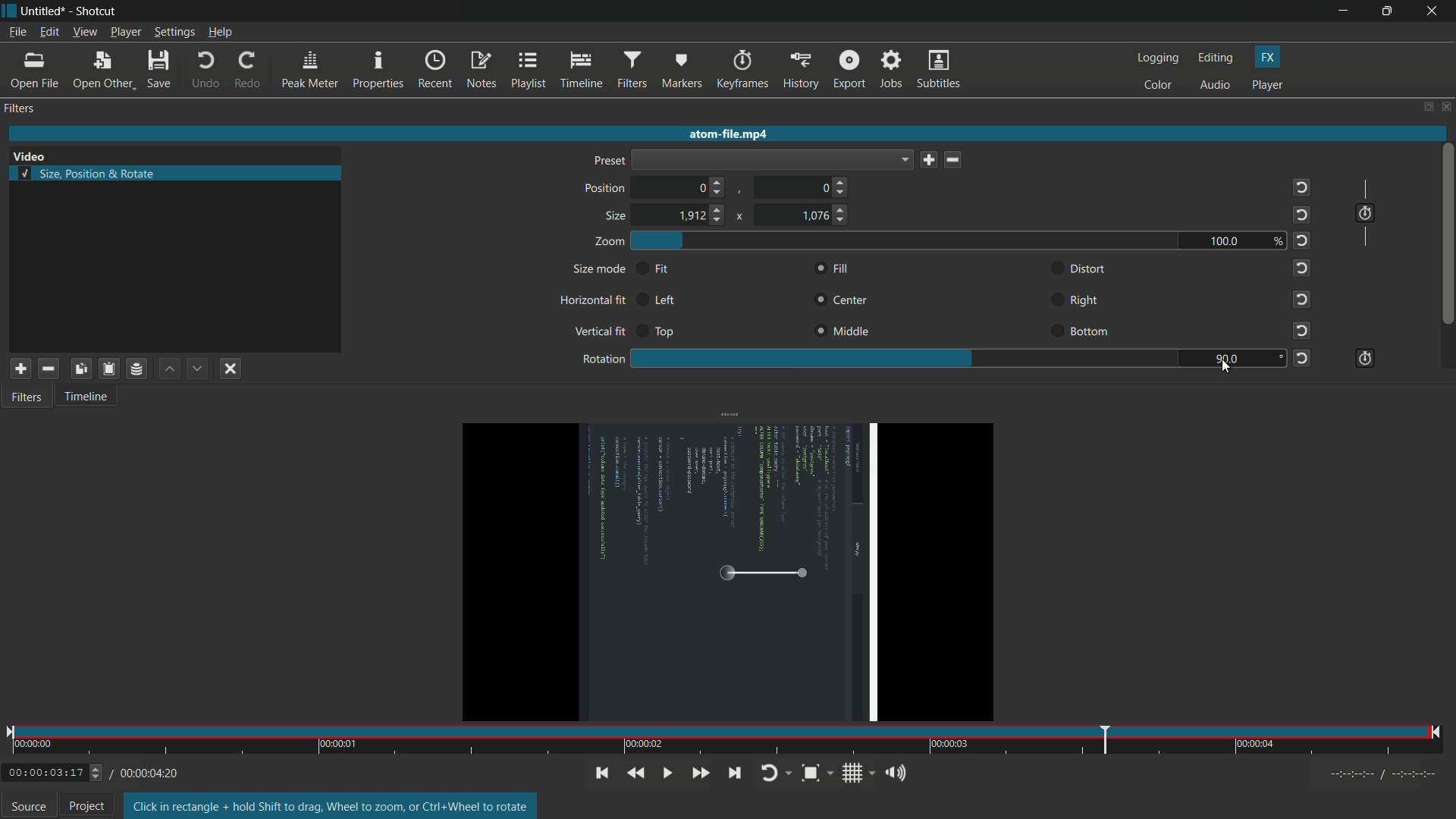 The image size is (1456, 819). I want to click on peak meter, so click(310, 71).